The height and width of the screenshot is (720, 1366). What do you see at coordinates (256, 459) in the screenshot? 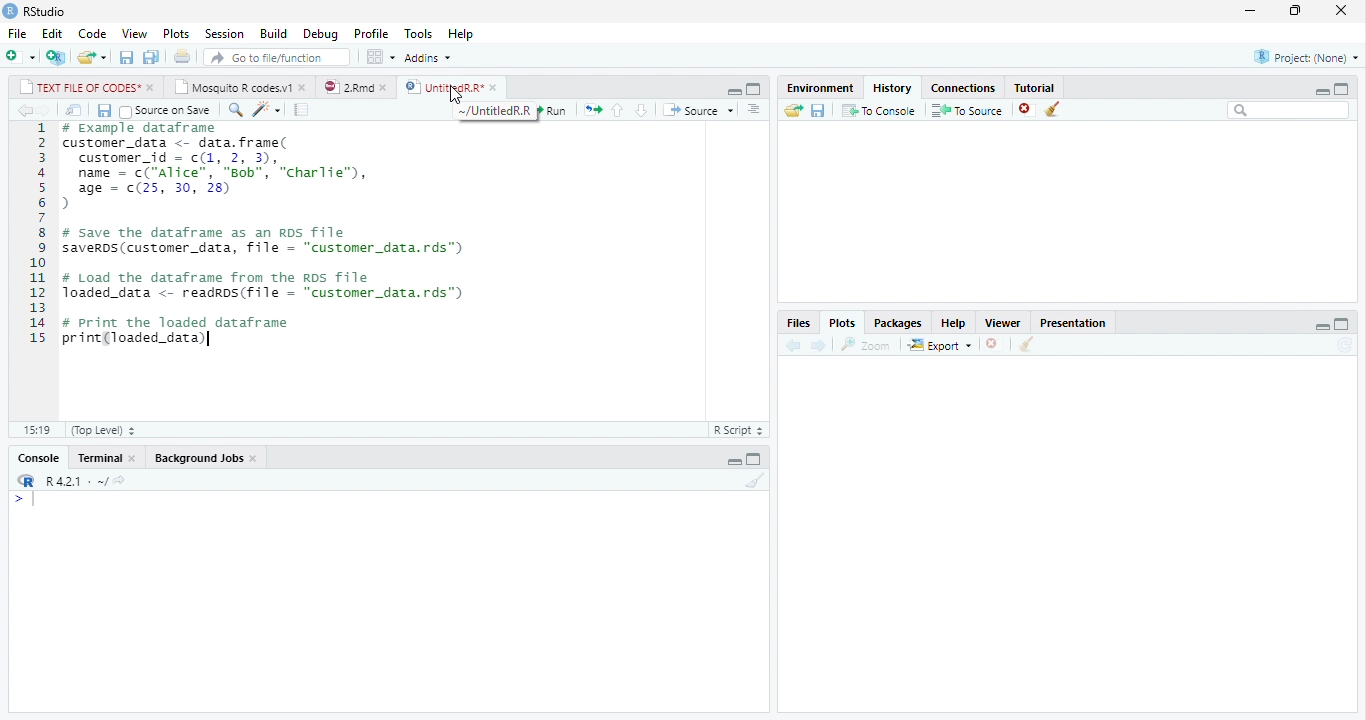
I see `close` at bounding box center [256, 459].